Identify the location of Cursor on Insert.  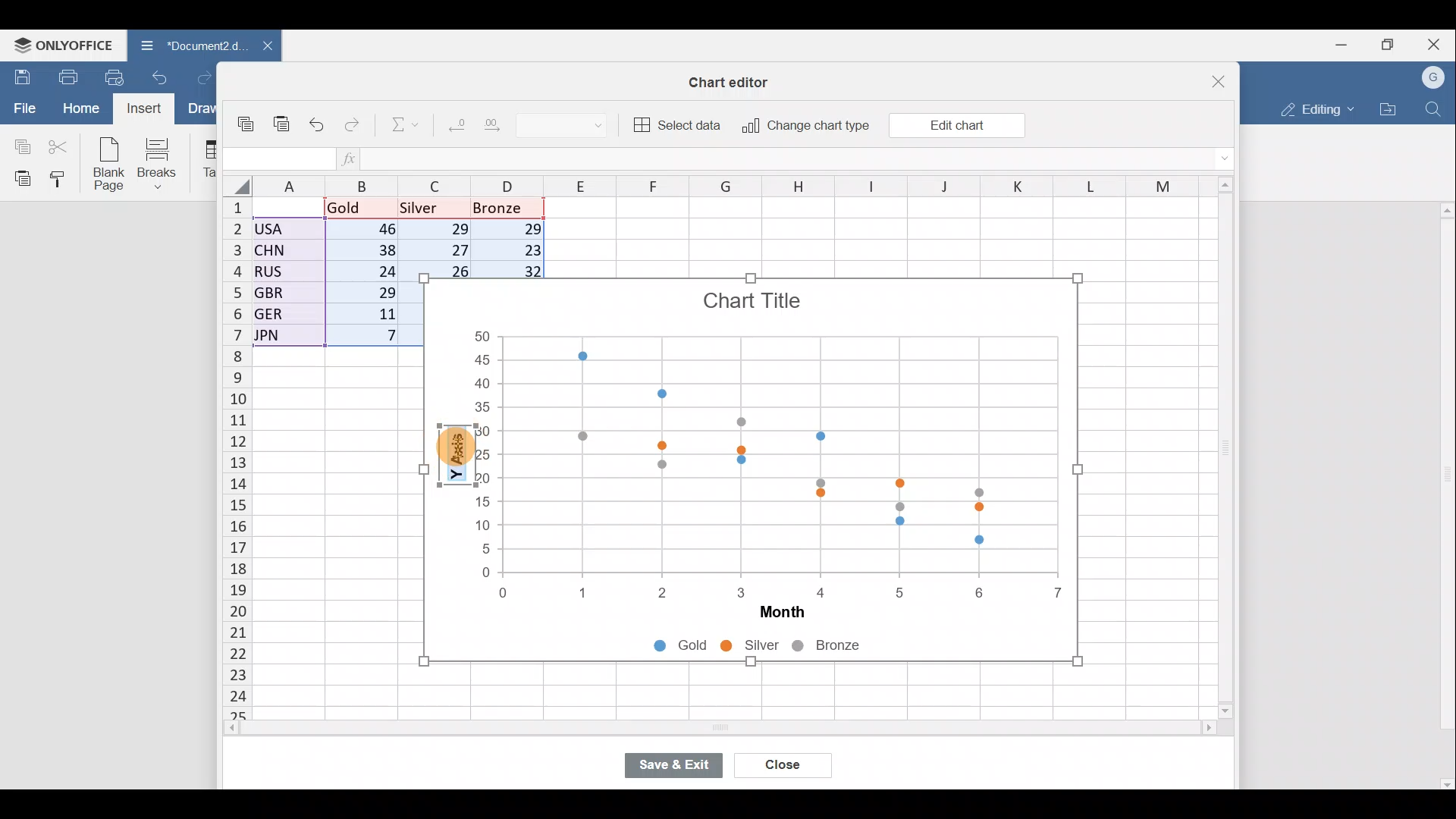
(145, 110).